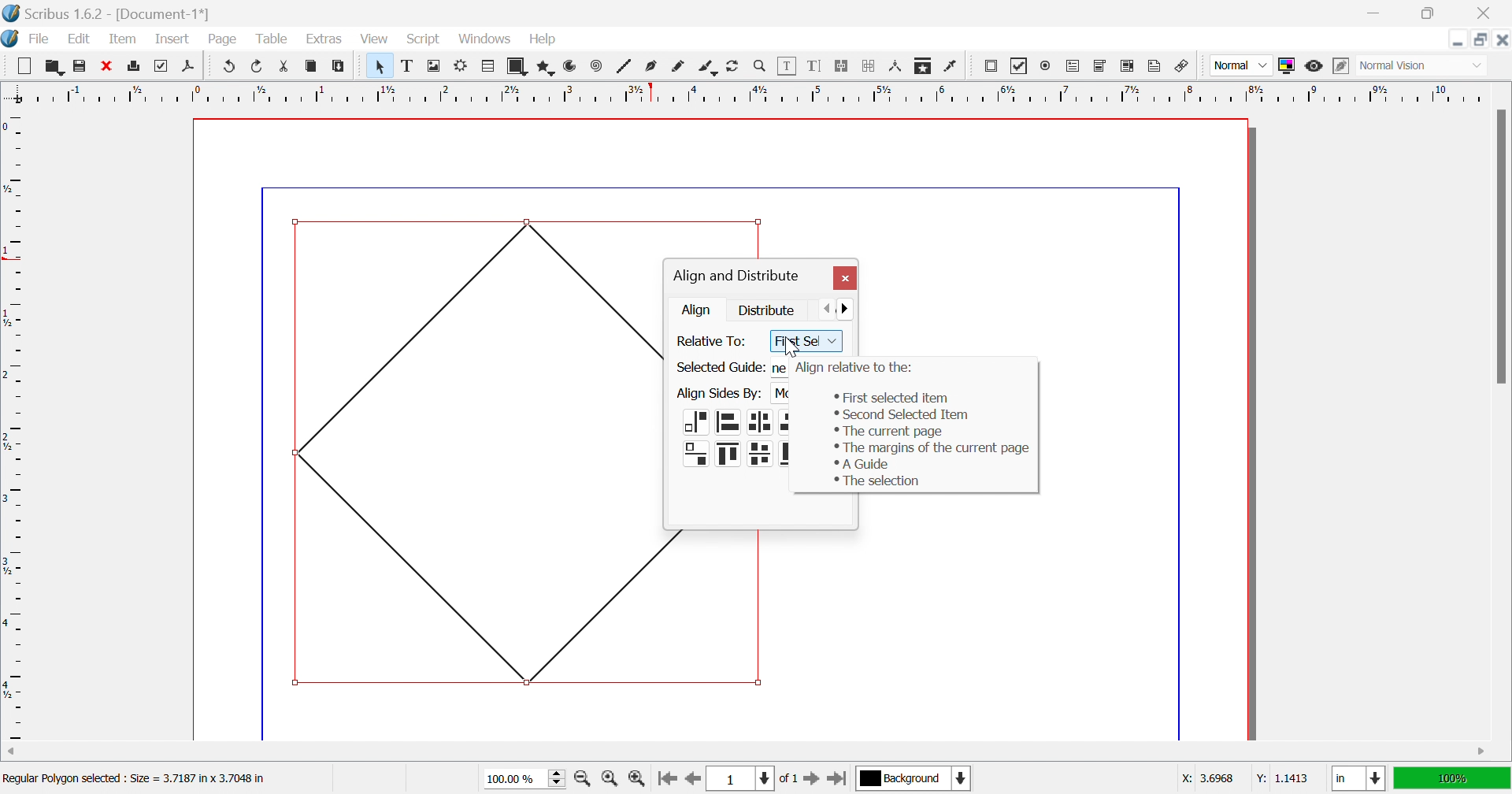  I want to click on Script, so click(428, 40).